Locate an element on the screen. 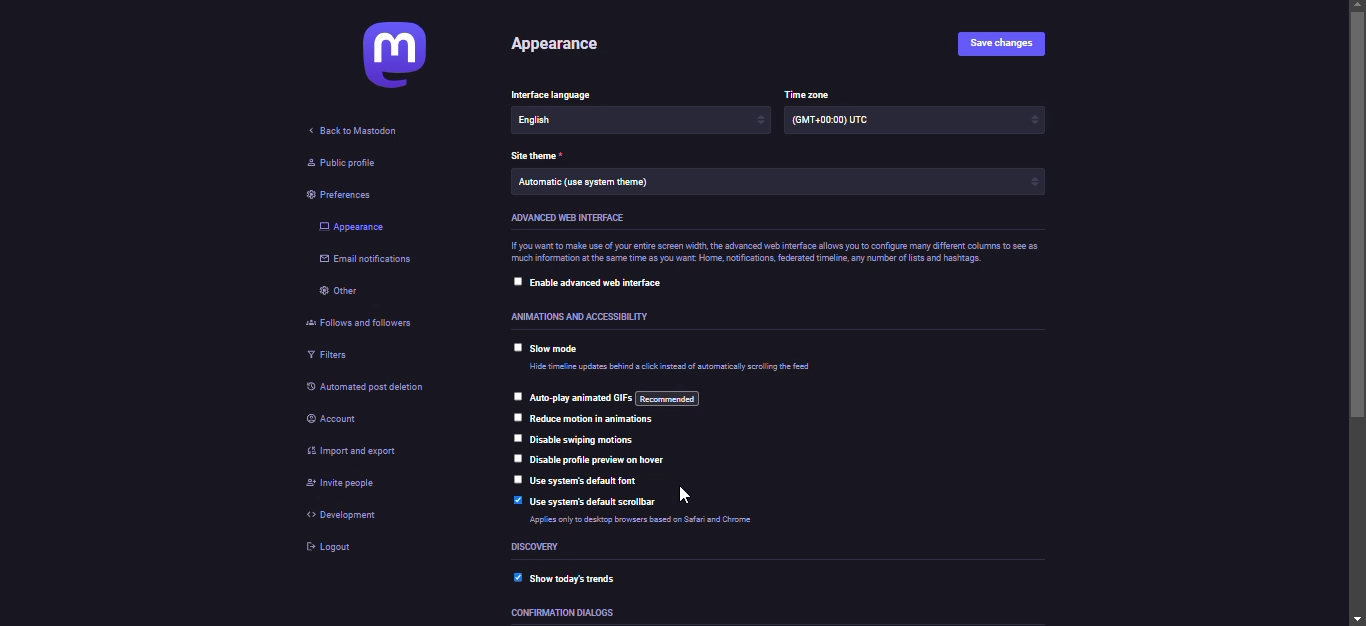 The width and height of the screenshot is (1366, 626). dialoges is located at coordinates (558, 610).